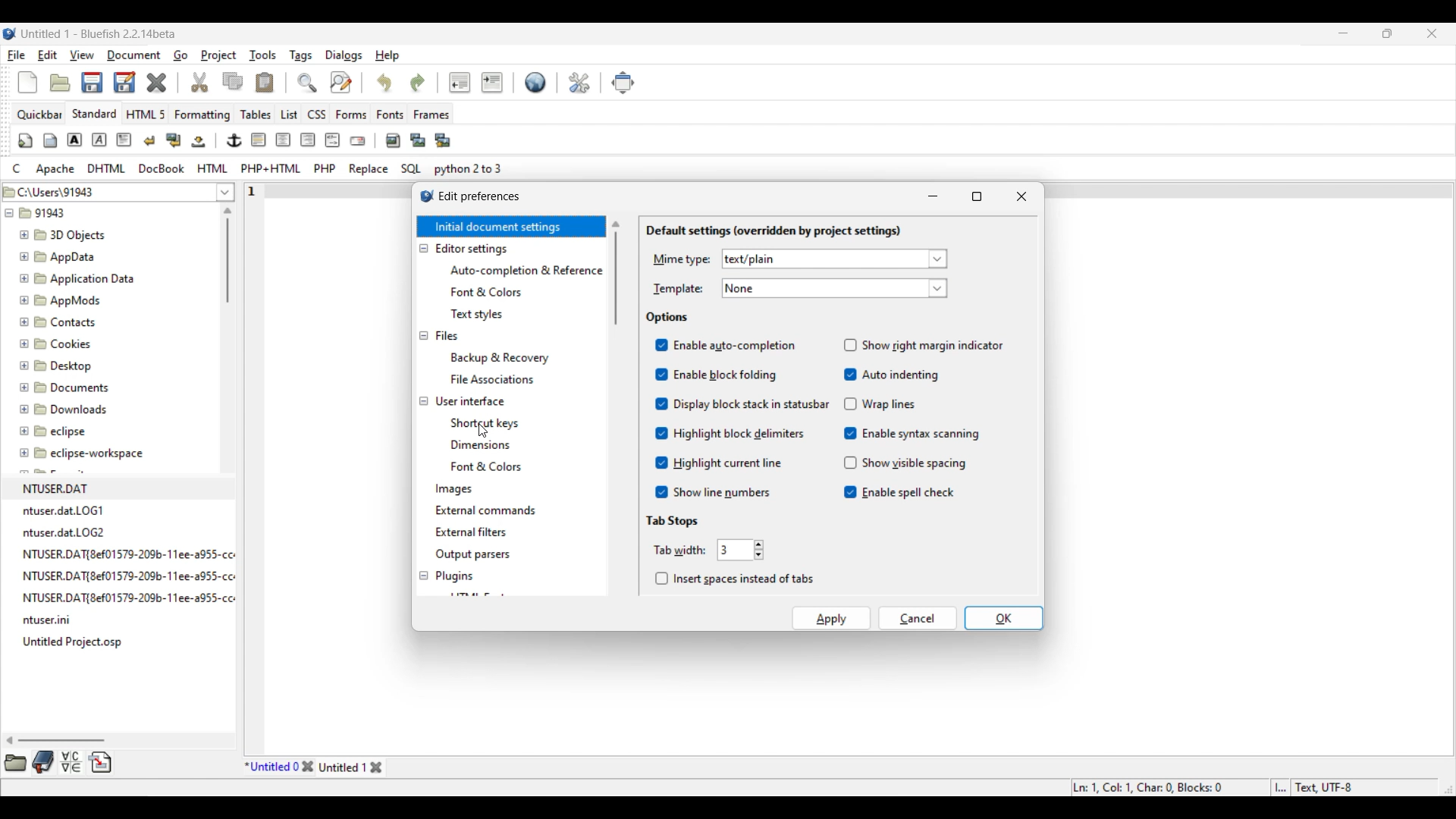 This screenshot has width=1456, height=819. Describe the element at coordinates (226, 192) in the screenshot. I see `File list` at that location.